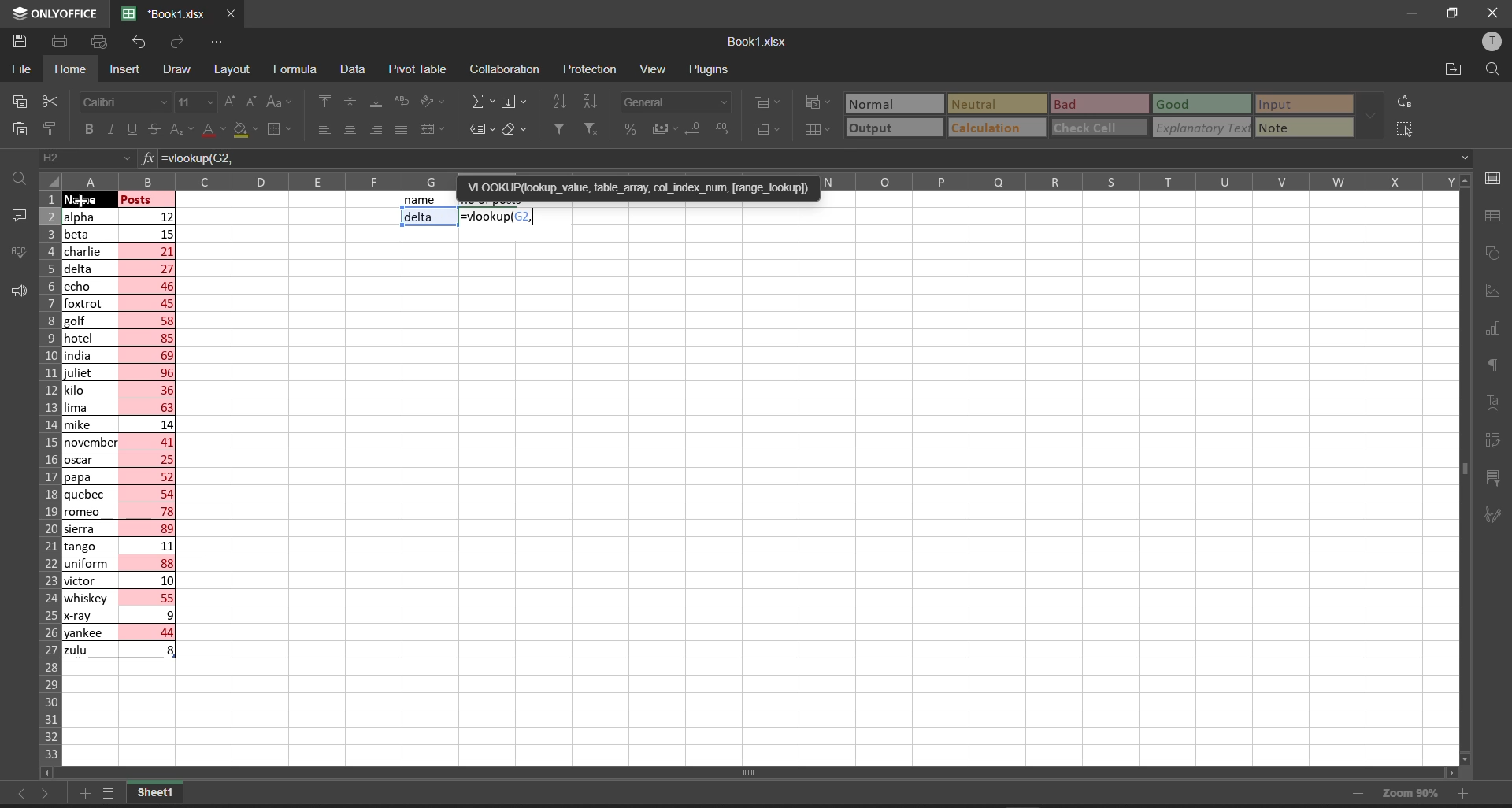 The image size is (1512, 808). Describe the element at coordinates (146, 158) in the screenshot. I see `formula` at that location.